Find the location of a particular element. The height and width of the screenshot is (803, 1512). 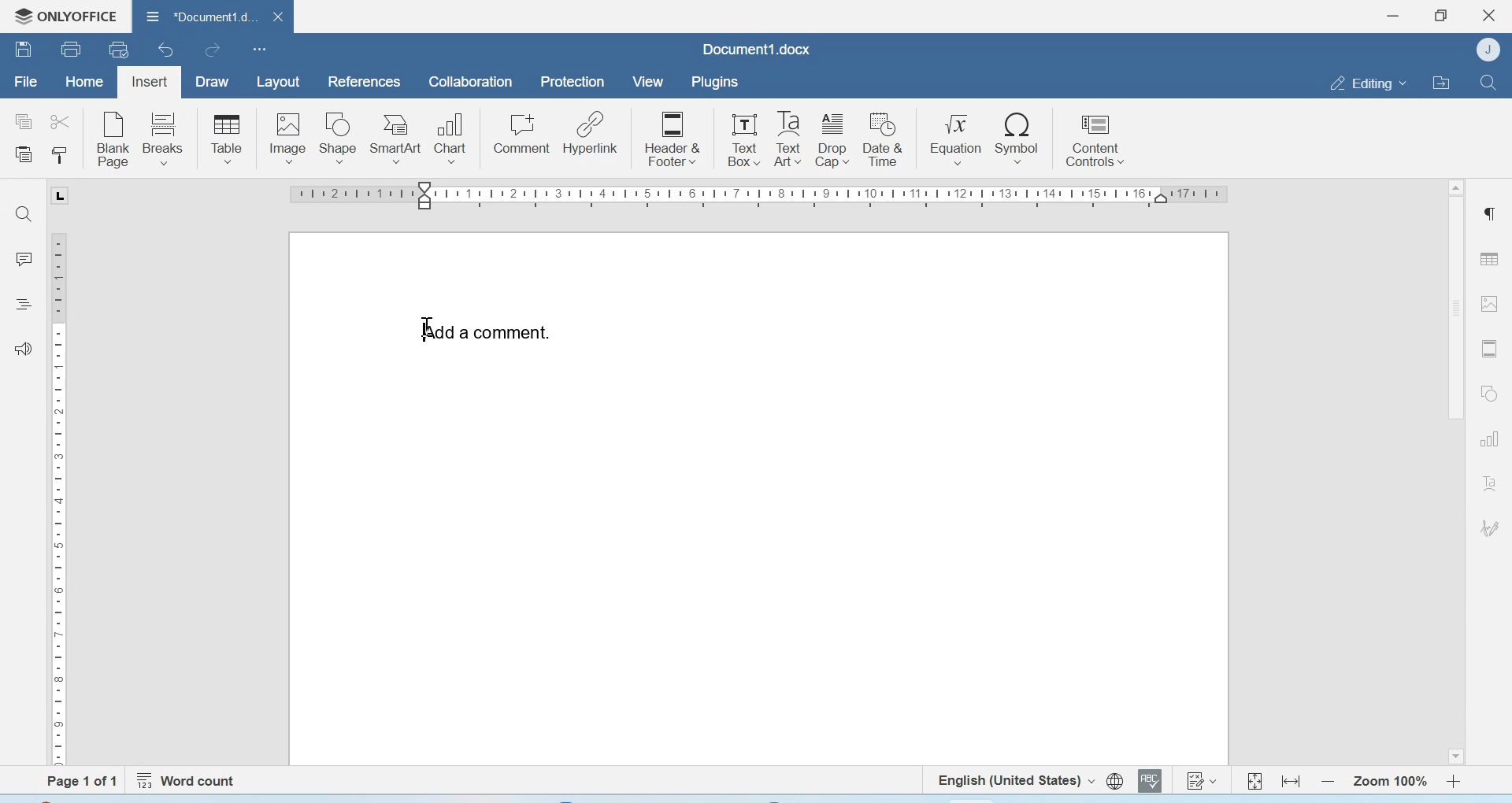

Minimize is located at coordinates (1395, 16).